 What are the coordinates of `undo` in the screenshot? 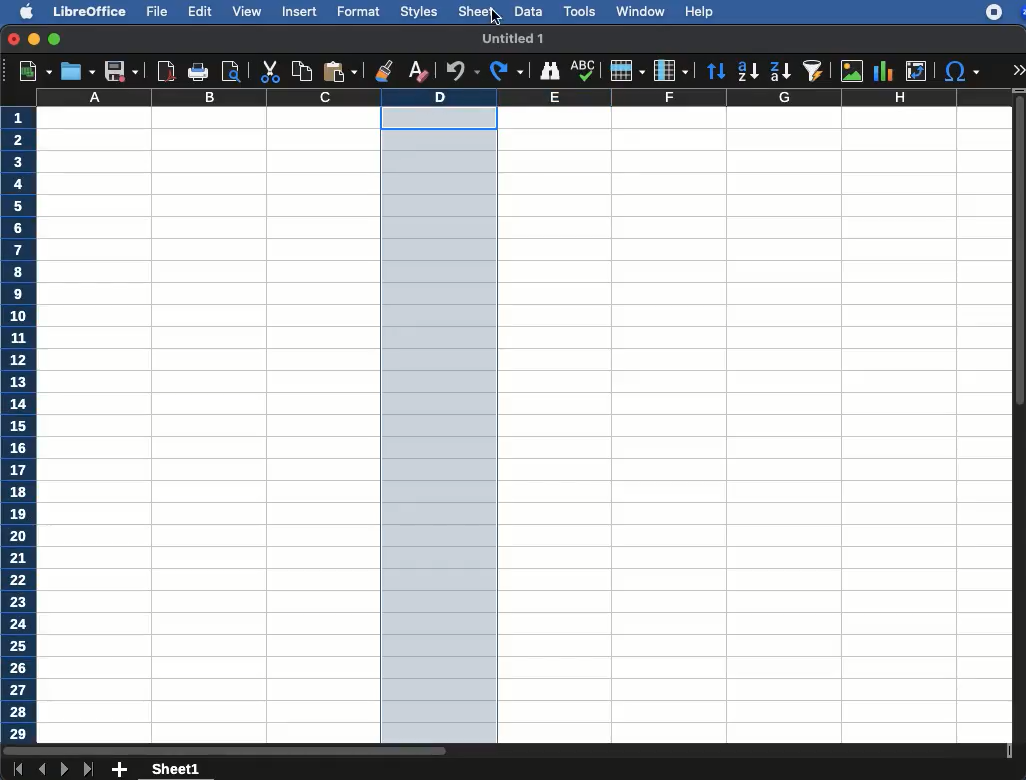 It's located at (459, 72).